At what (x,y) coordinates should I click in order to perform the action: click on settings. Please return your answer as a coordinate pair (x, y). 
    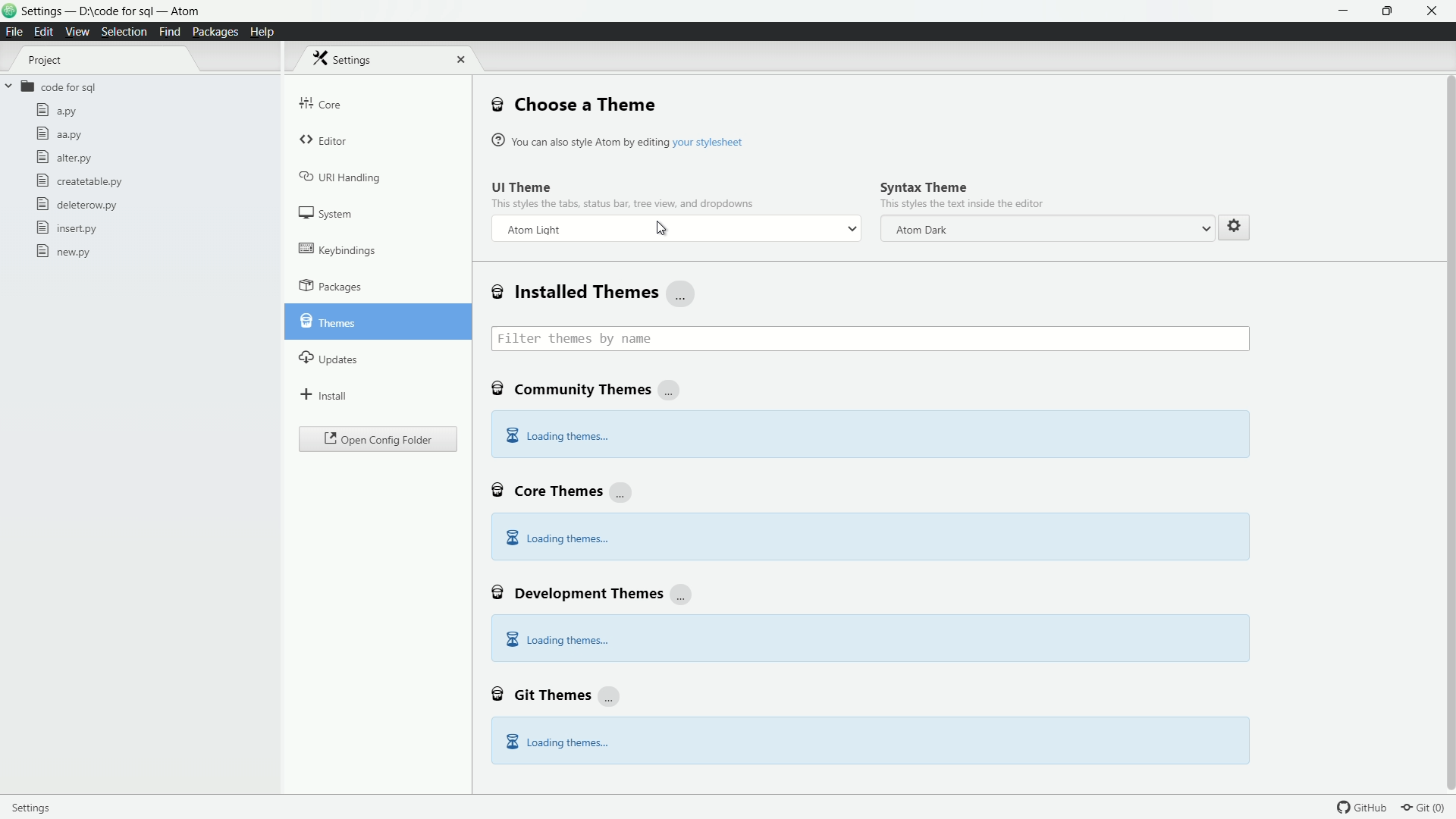
    Looking at the image, I should click on (1233, 225).